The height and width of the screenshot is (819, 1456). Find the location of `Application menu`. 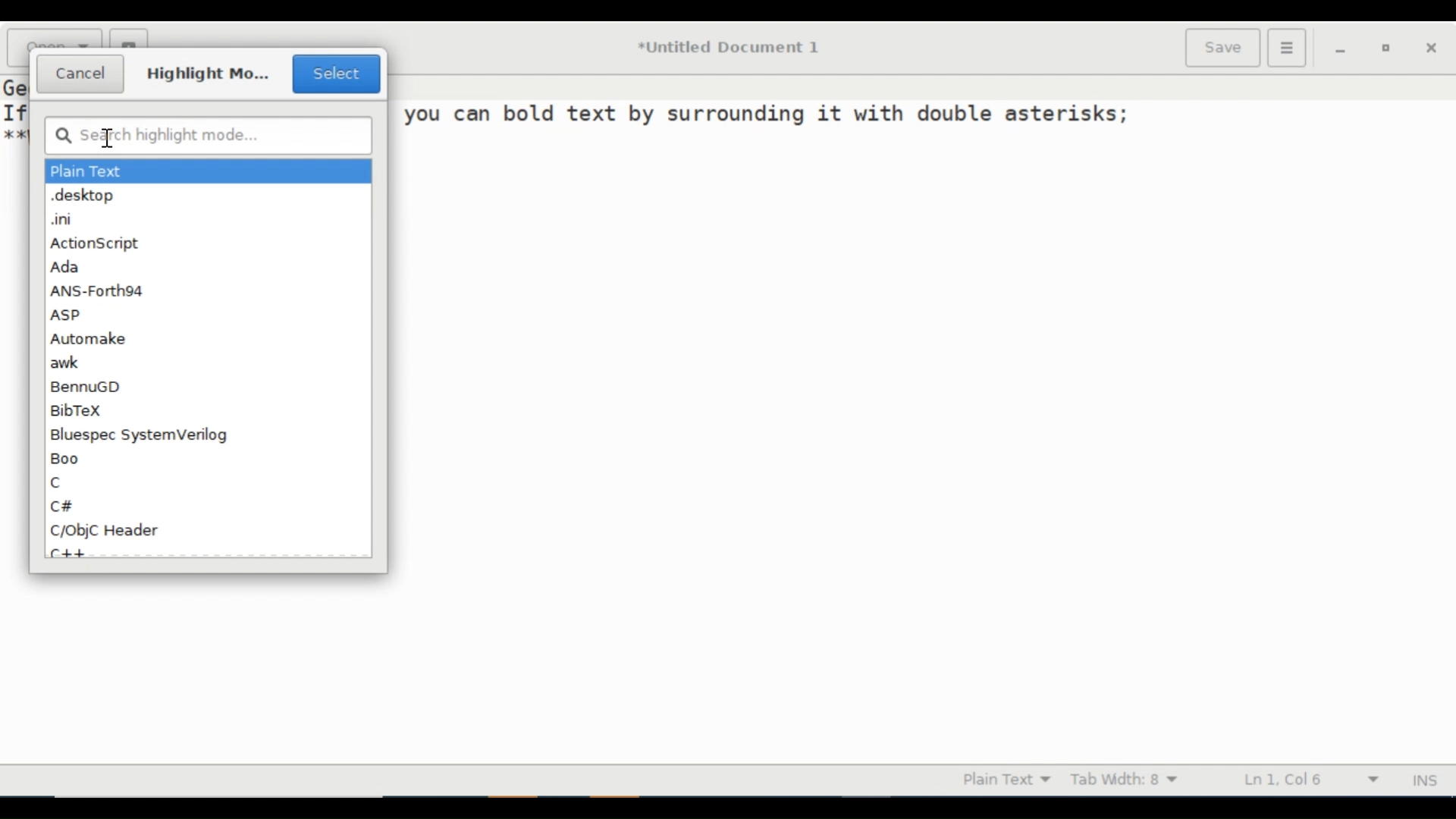

Application menu is located at coordinates (1285, 47).